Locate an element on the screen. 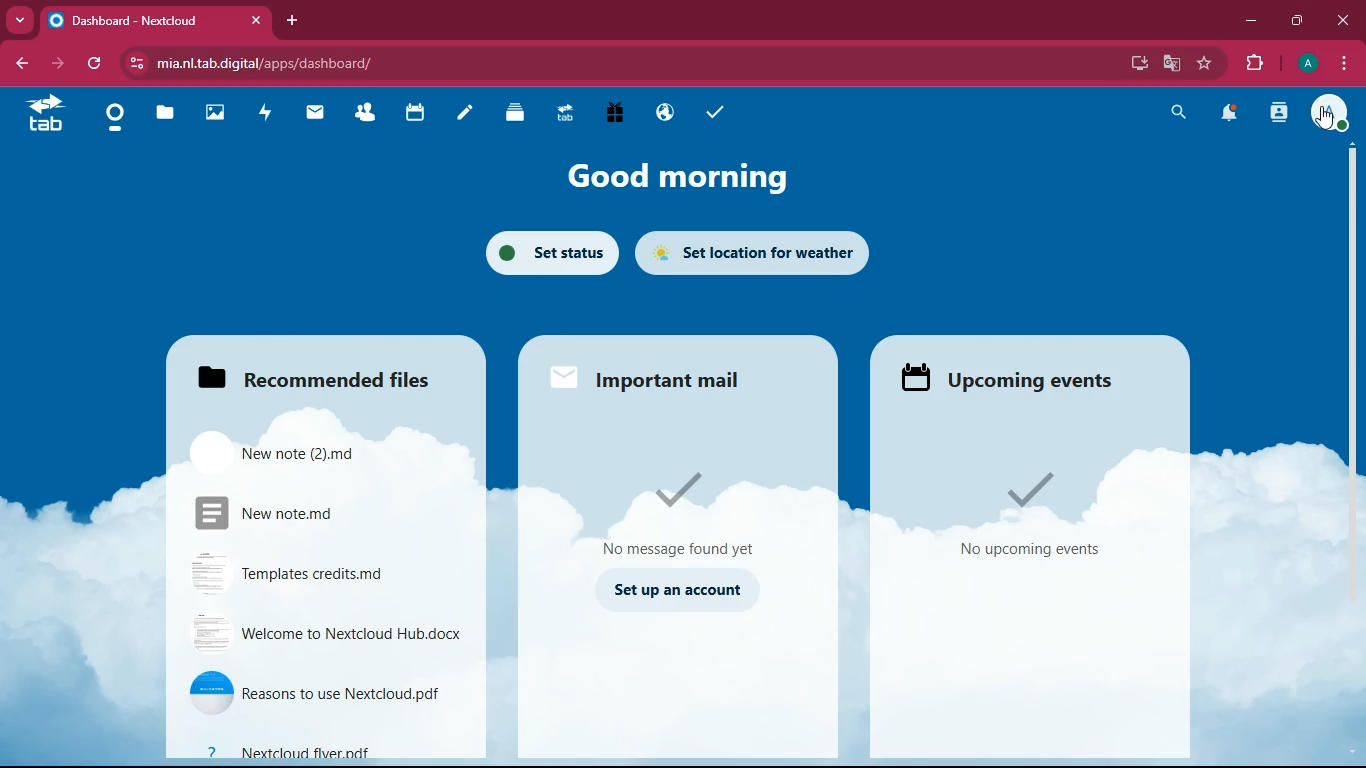 The width and height of the screenshot is (1366, 768). message is located at coordinates (681, 509).